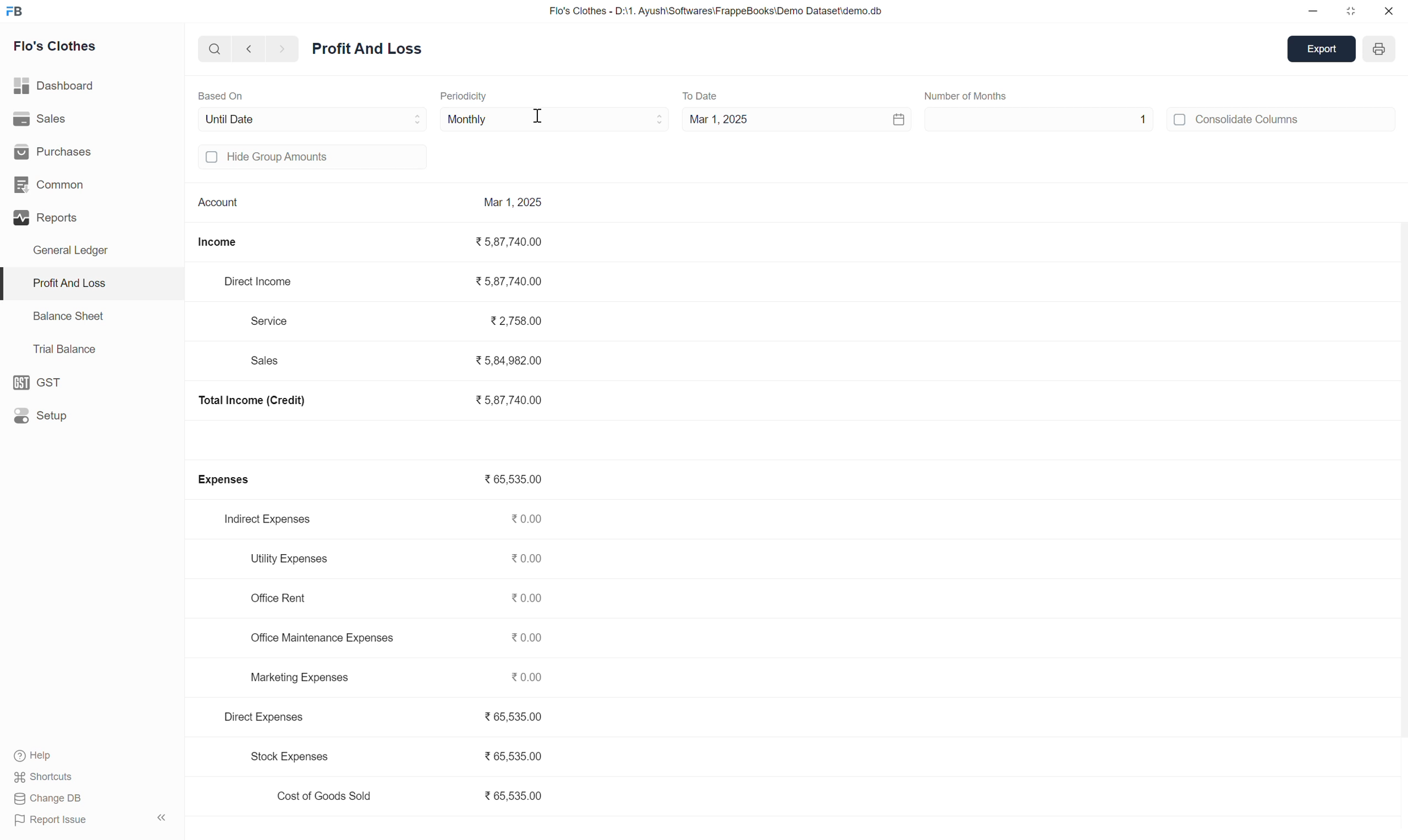 This screenshot has height=840, width=1408. Describe the element at coordinates (884, 119) in the screenshot. I see `Calendar` at that location.